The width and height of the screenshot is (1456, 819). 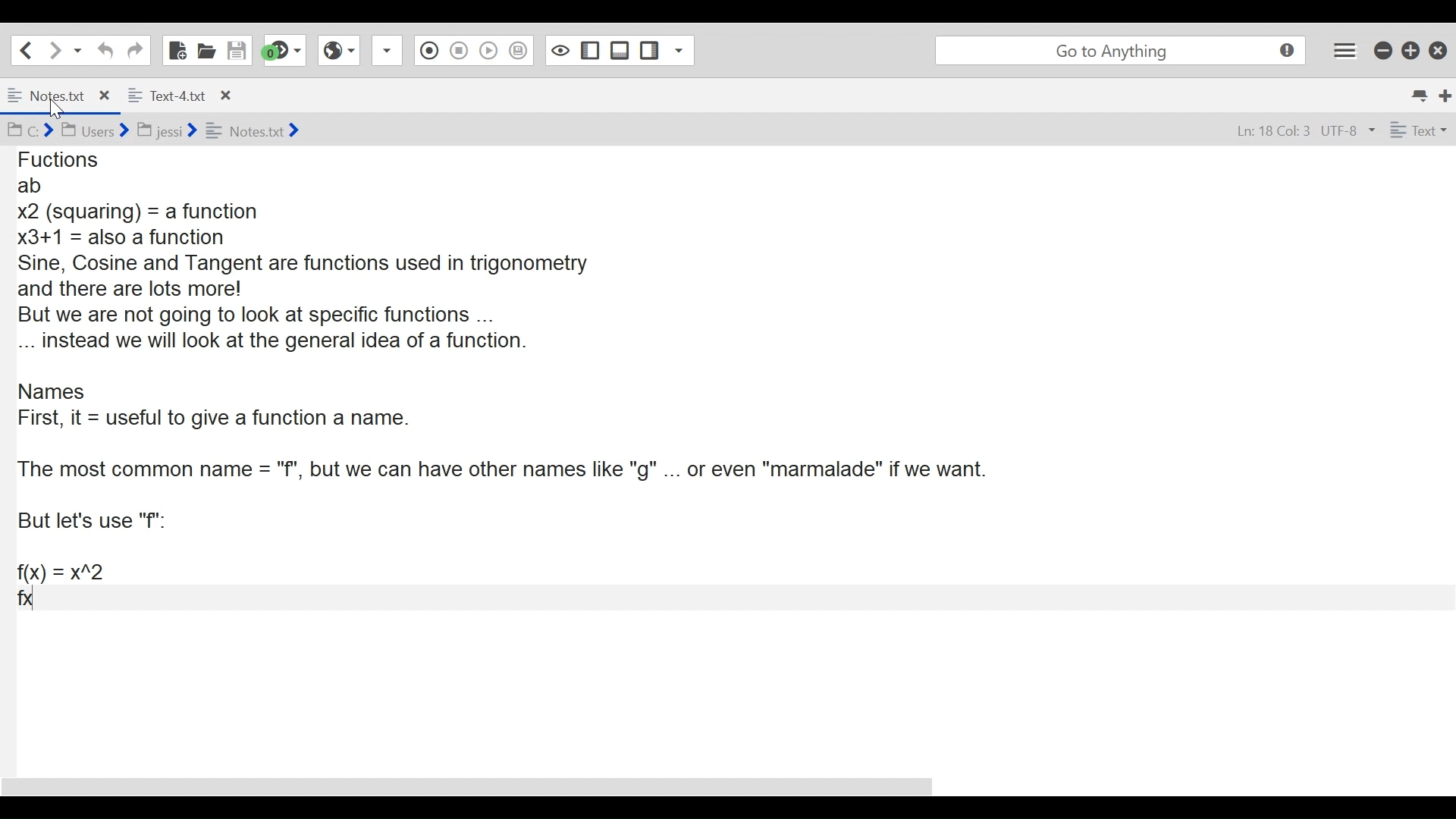 What do you see at coordinates (253, 130) in the screenshot?
I see `notes.txt` at bounding box center [253, 130].